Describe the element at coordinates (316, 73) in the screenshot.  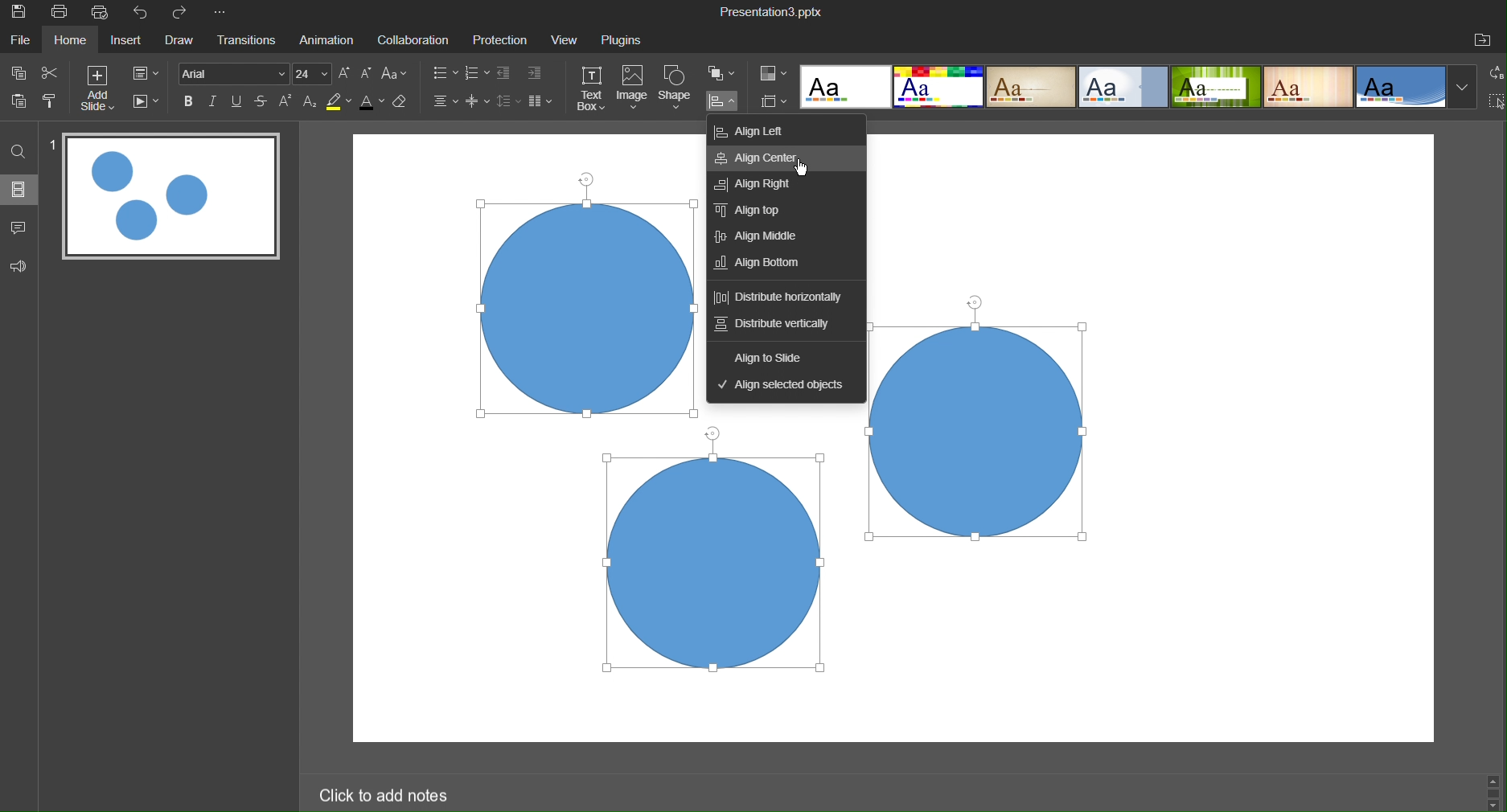
I see `Font size` at that location.